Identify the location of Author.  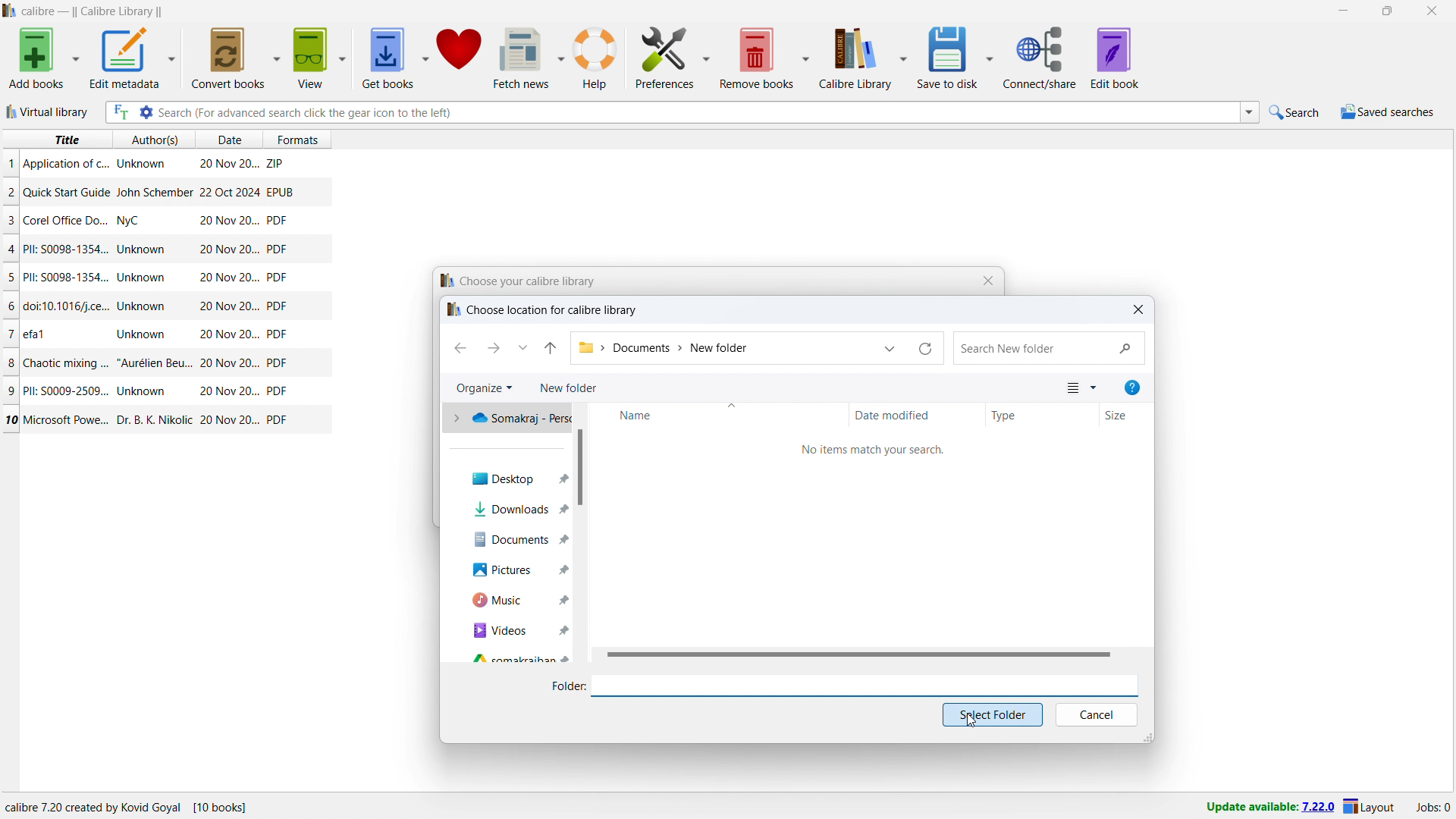
(141, 333).